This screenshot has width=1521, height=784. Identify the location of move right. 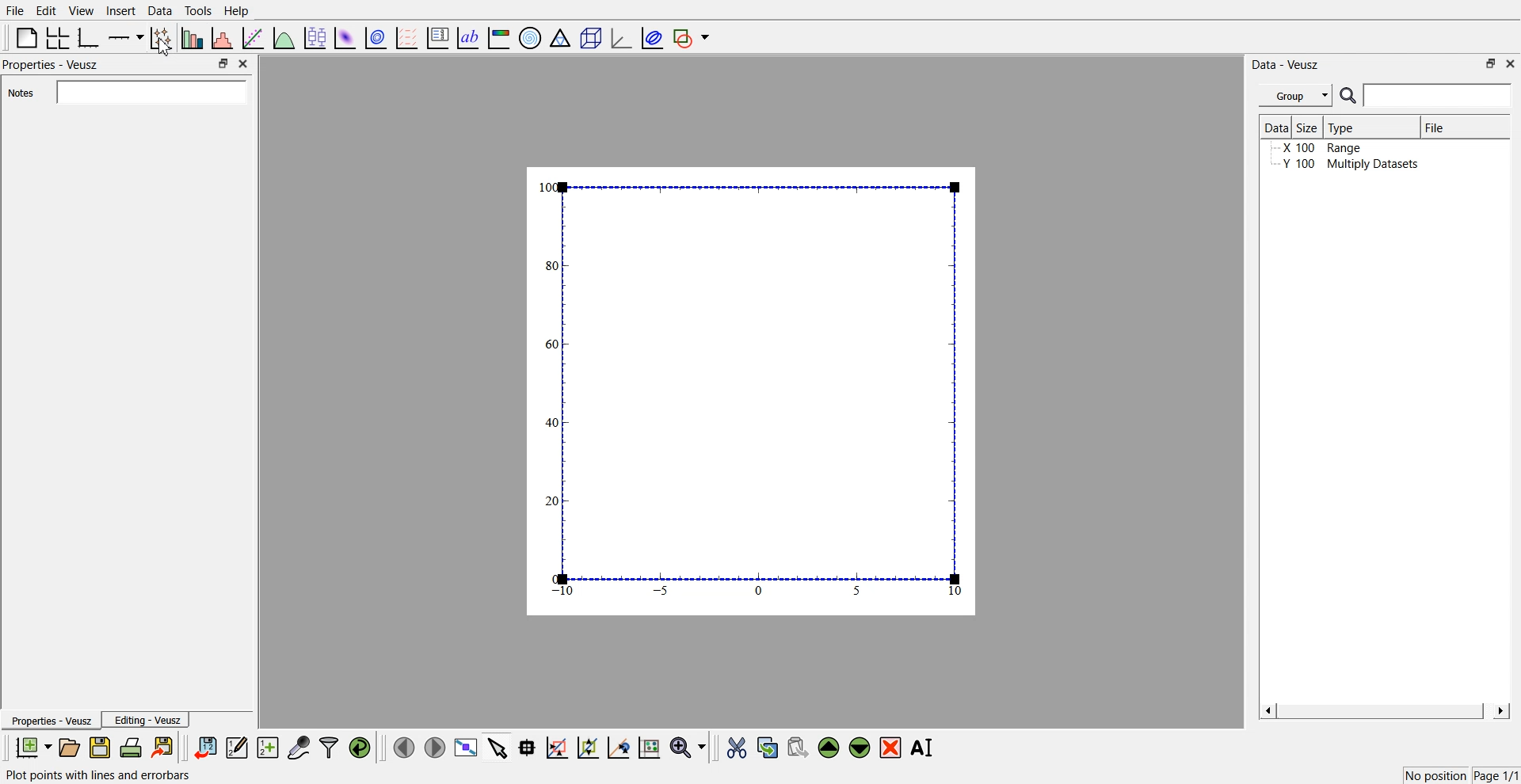
(434, 746).